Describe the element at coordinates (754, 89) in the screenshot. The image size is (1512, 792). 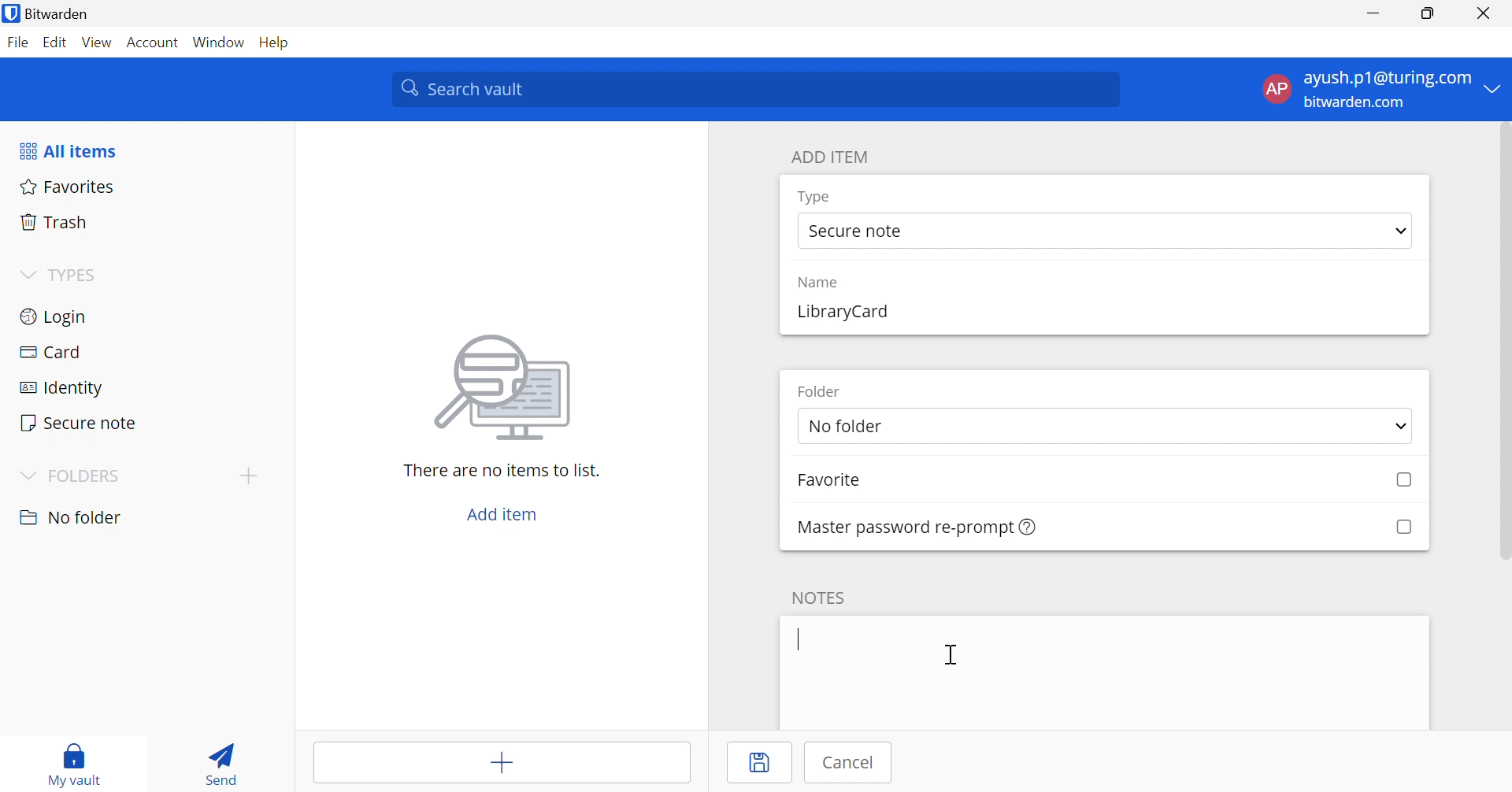
I see `Search vault` at that location.